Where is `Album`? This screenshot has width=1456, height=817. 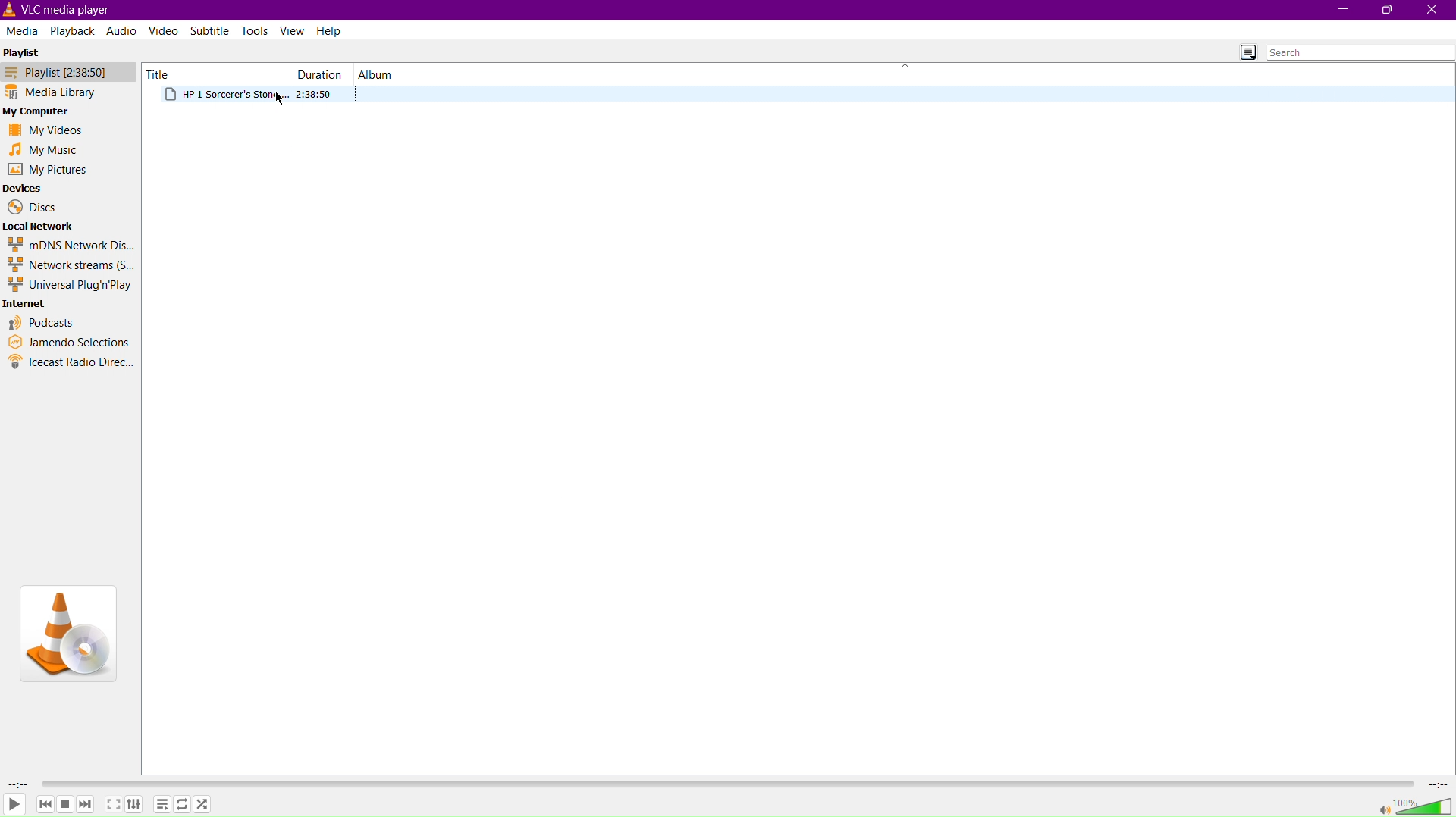
Album is located at coordinates (375, 74).